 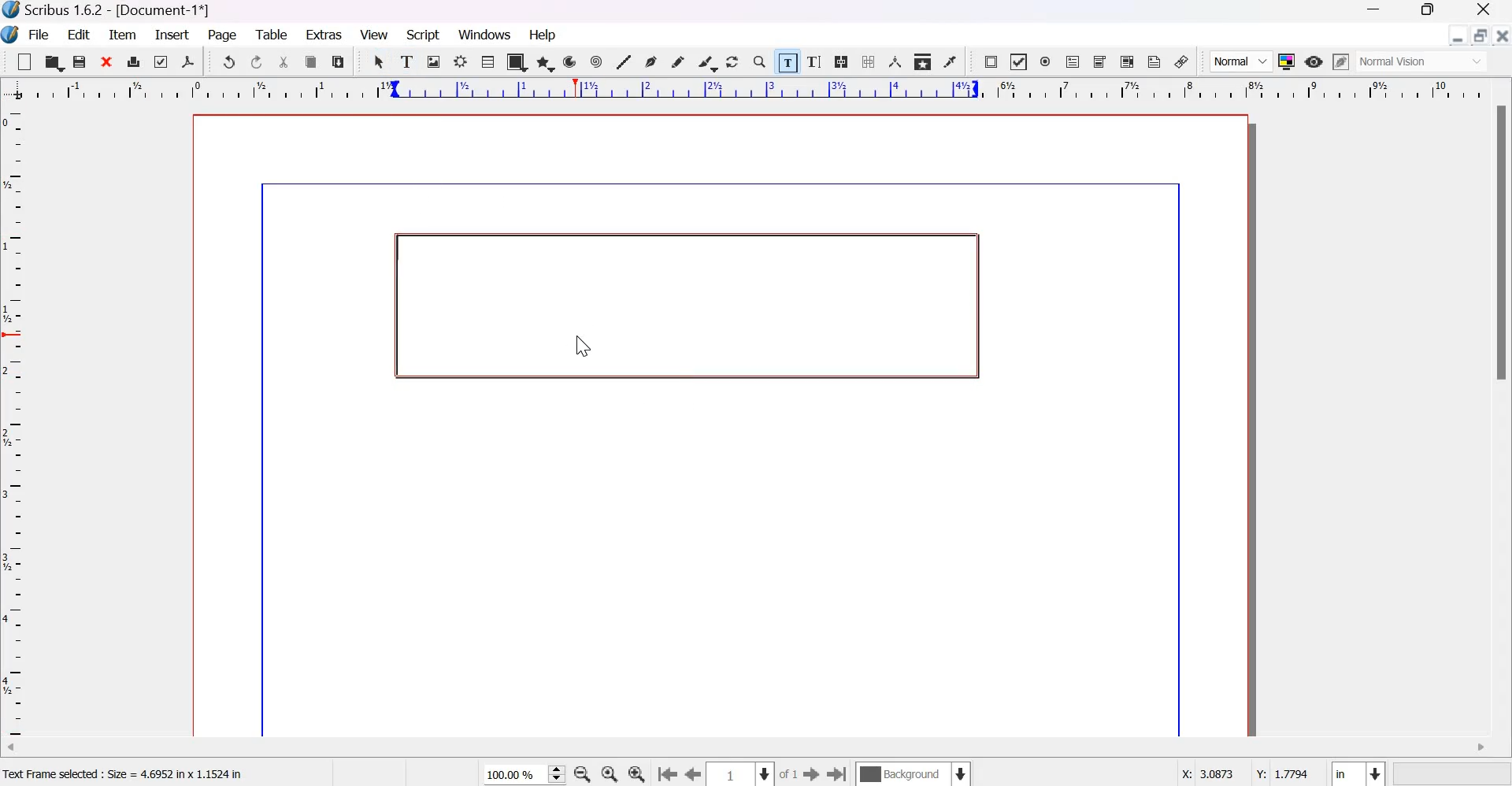 I want to click on go to the previous page, so click(x=667, y=775).